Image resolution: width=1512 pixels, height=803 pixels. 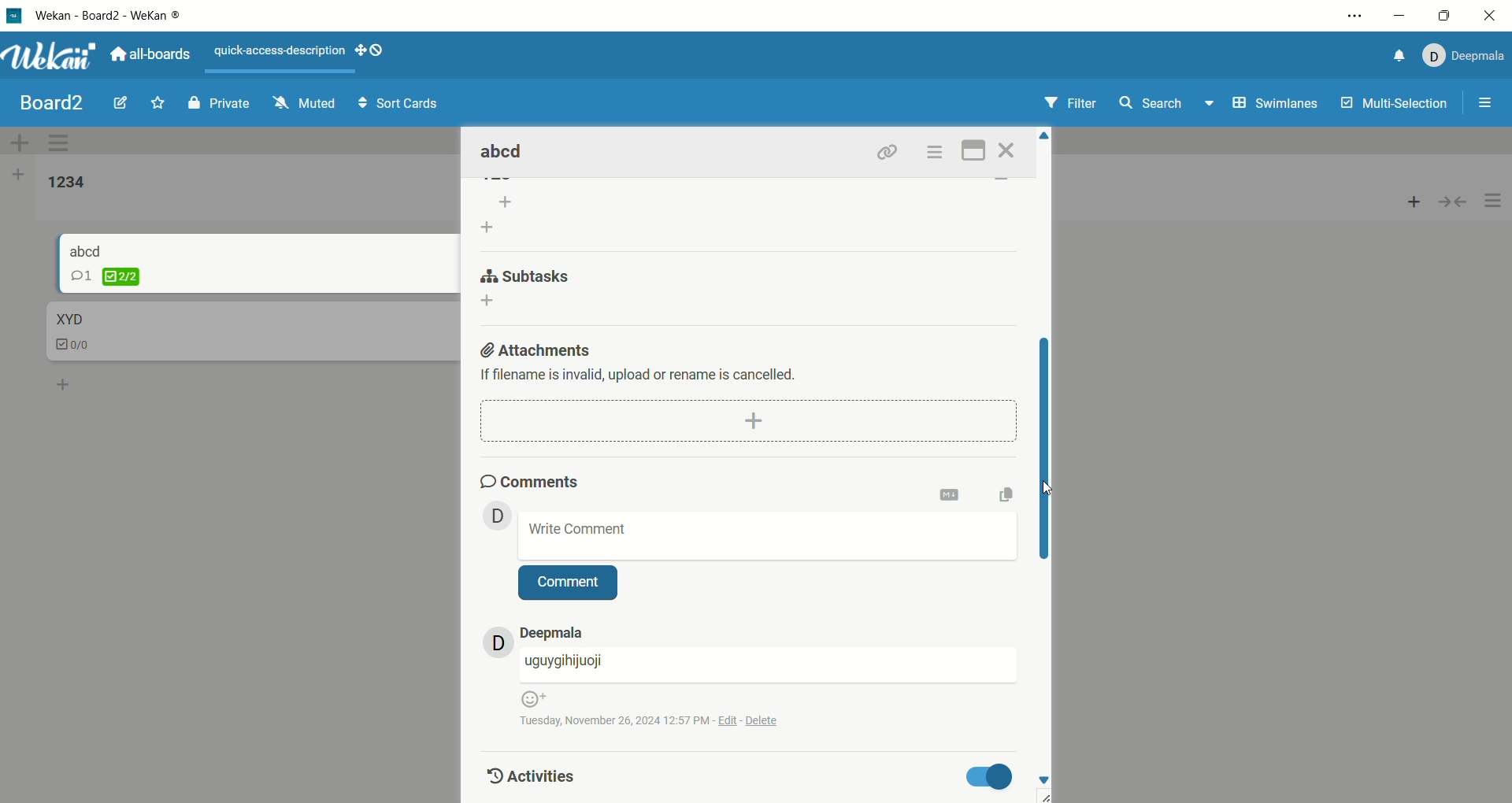 What do you see at coordinates (498, 641) in the screenshot?
I see `avatar` at bounding box center [498, 641].